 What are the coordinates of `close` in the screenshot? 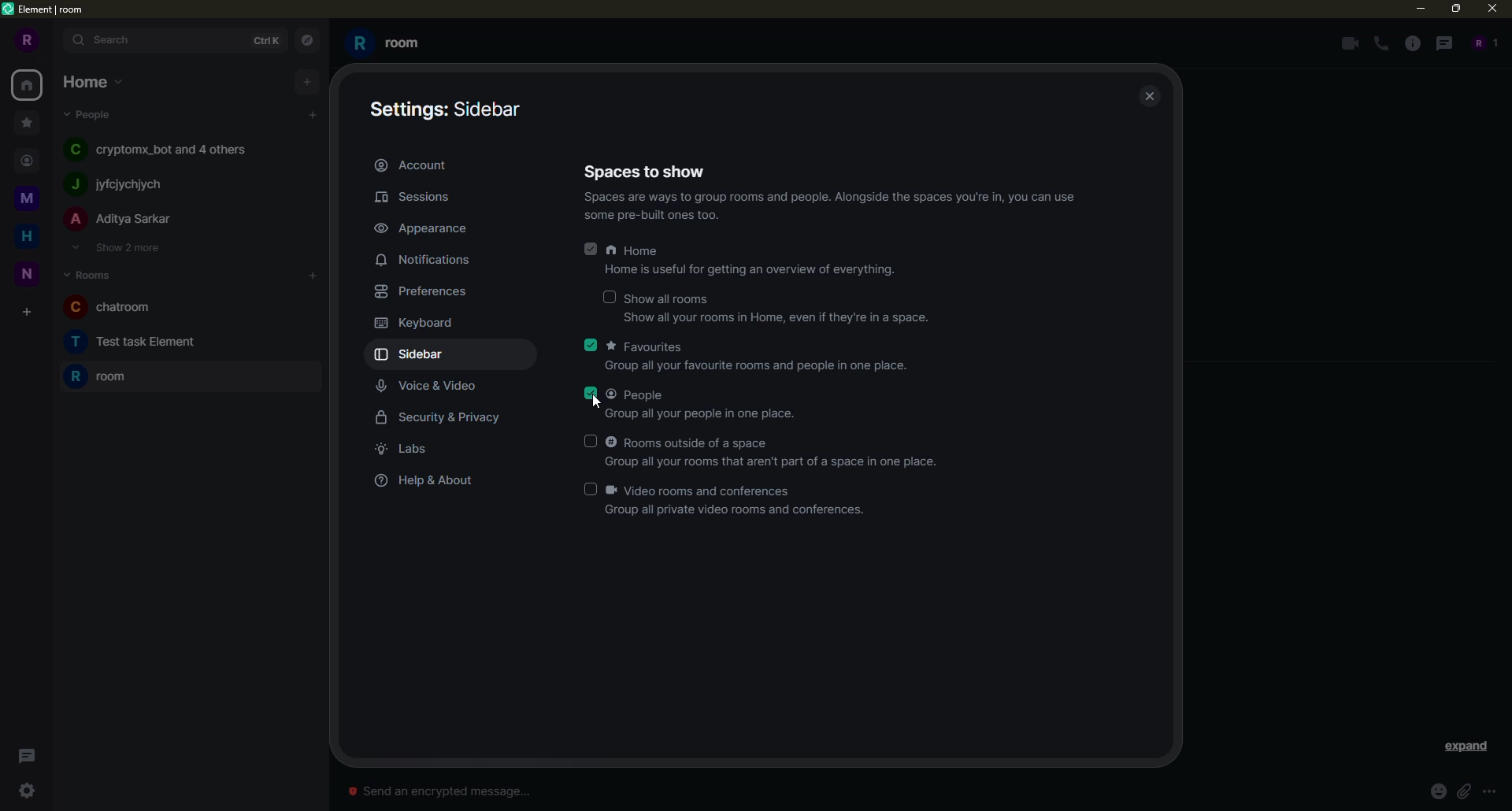 It's located at (1491, 12).